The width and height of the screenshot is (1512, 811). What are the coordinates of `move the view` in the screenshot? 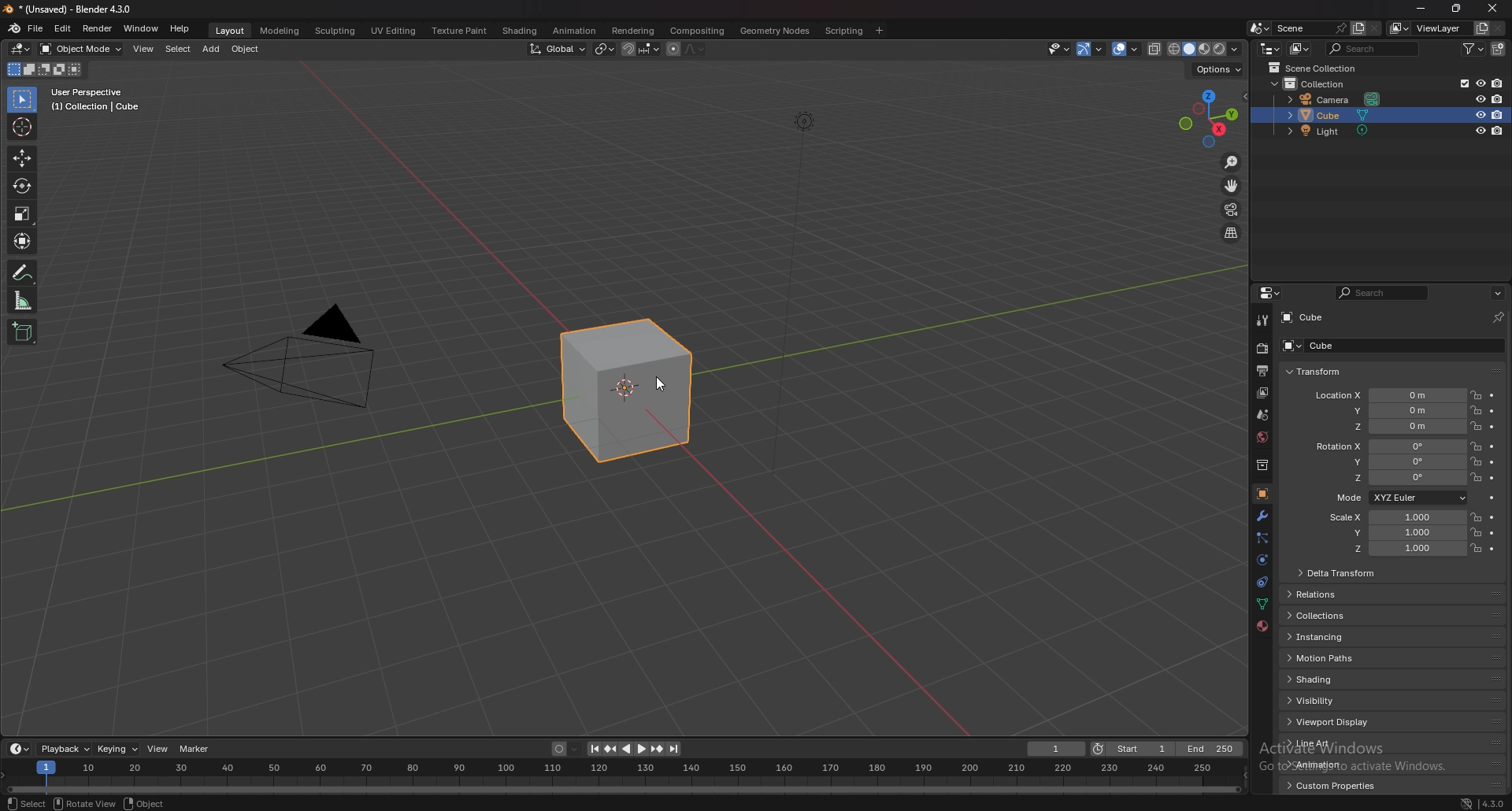 It's located at (1232, 186).